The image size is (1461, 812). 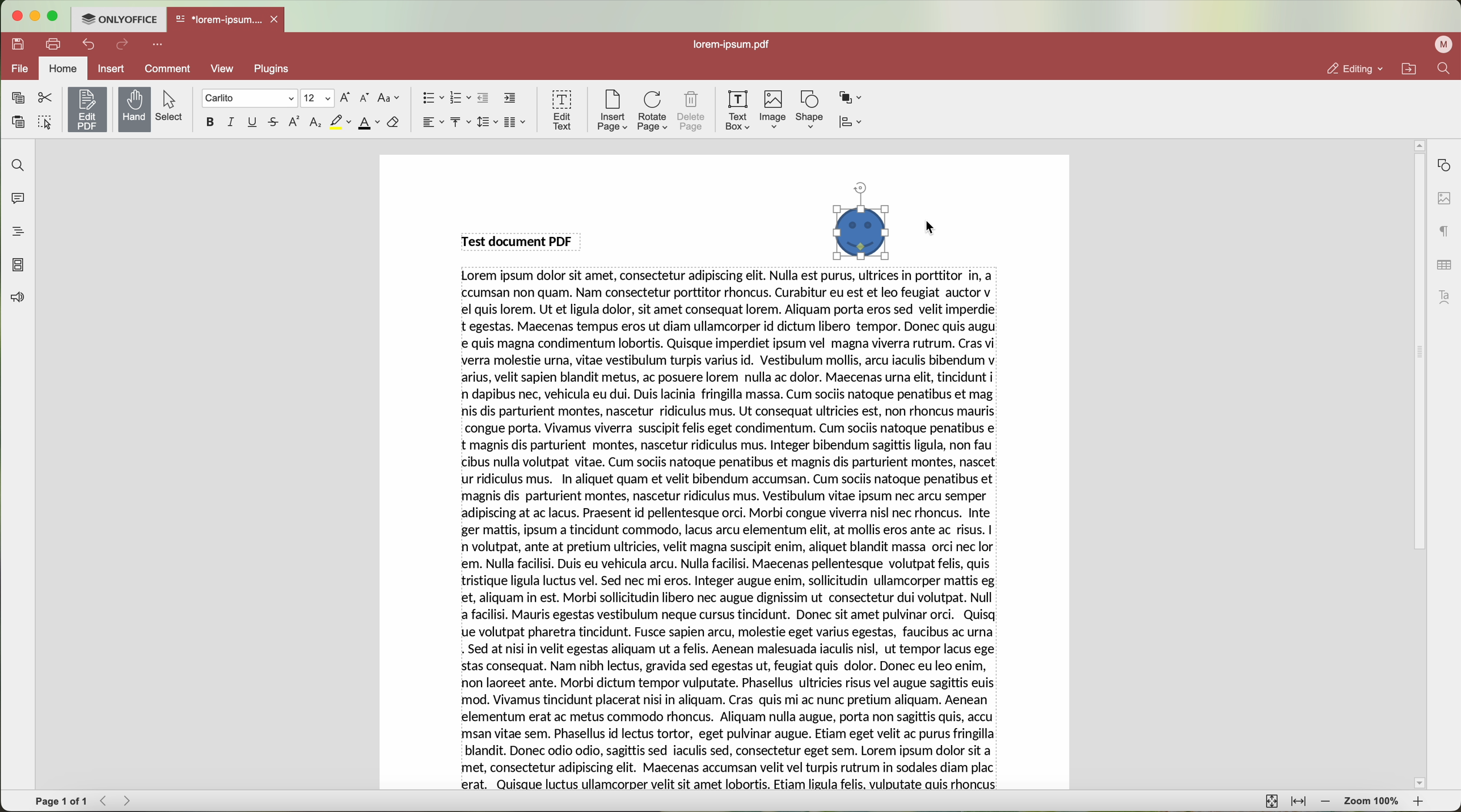 I want to click on bold, so click(x=208, y=122).